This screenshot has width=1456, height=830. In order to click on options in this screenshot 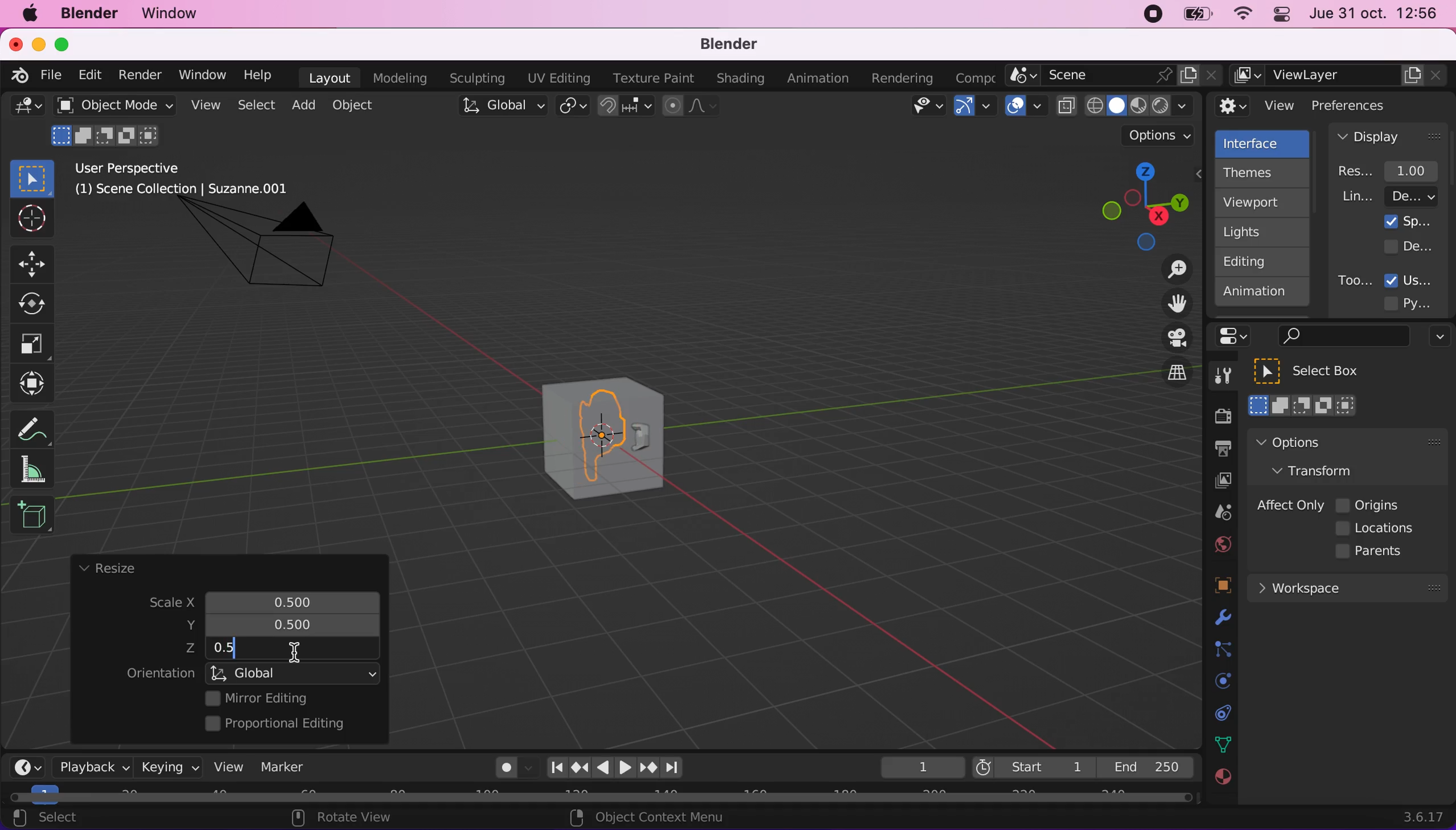, I will do `click(1160, 136)`.